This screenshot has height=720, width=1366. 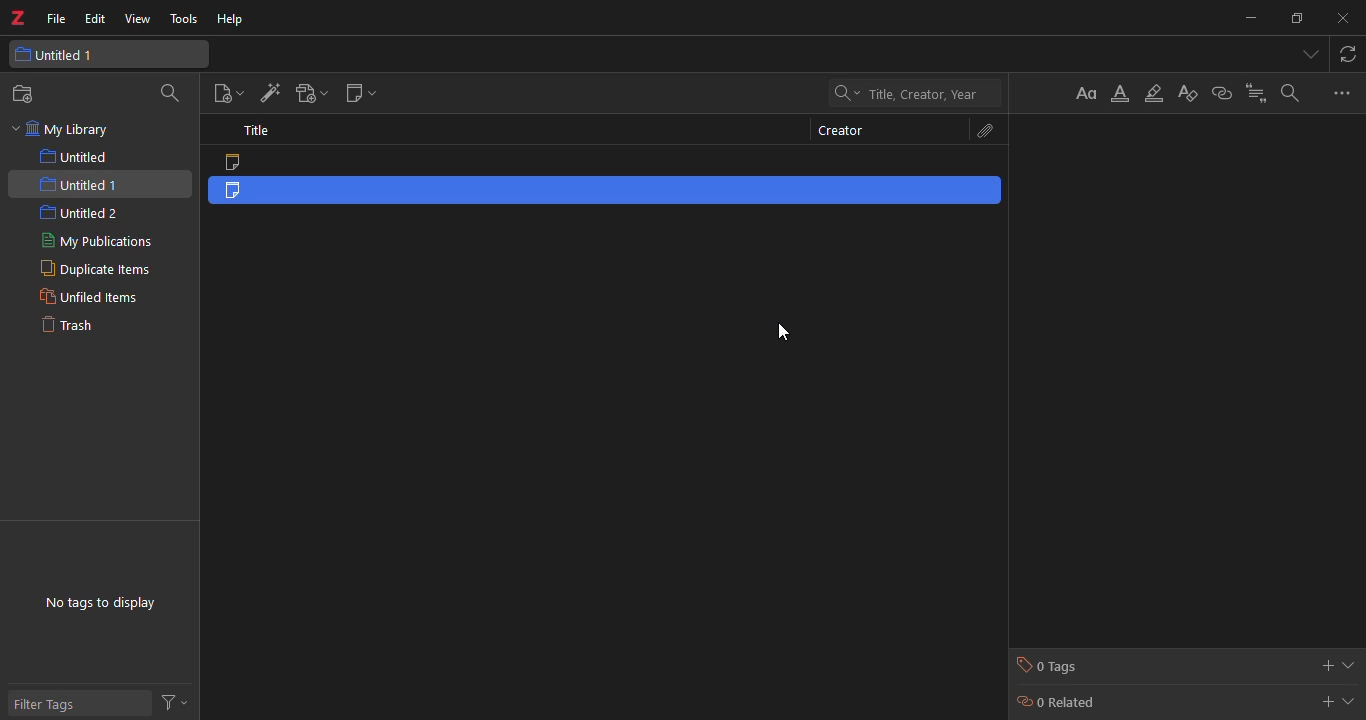 I want to click on new workspace, so click(x=25, y=93).